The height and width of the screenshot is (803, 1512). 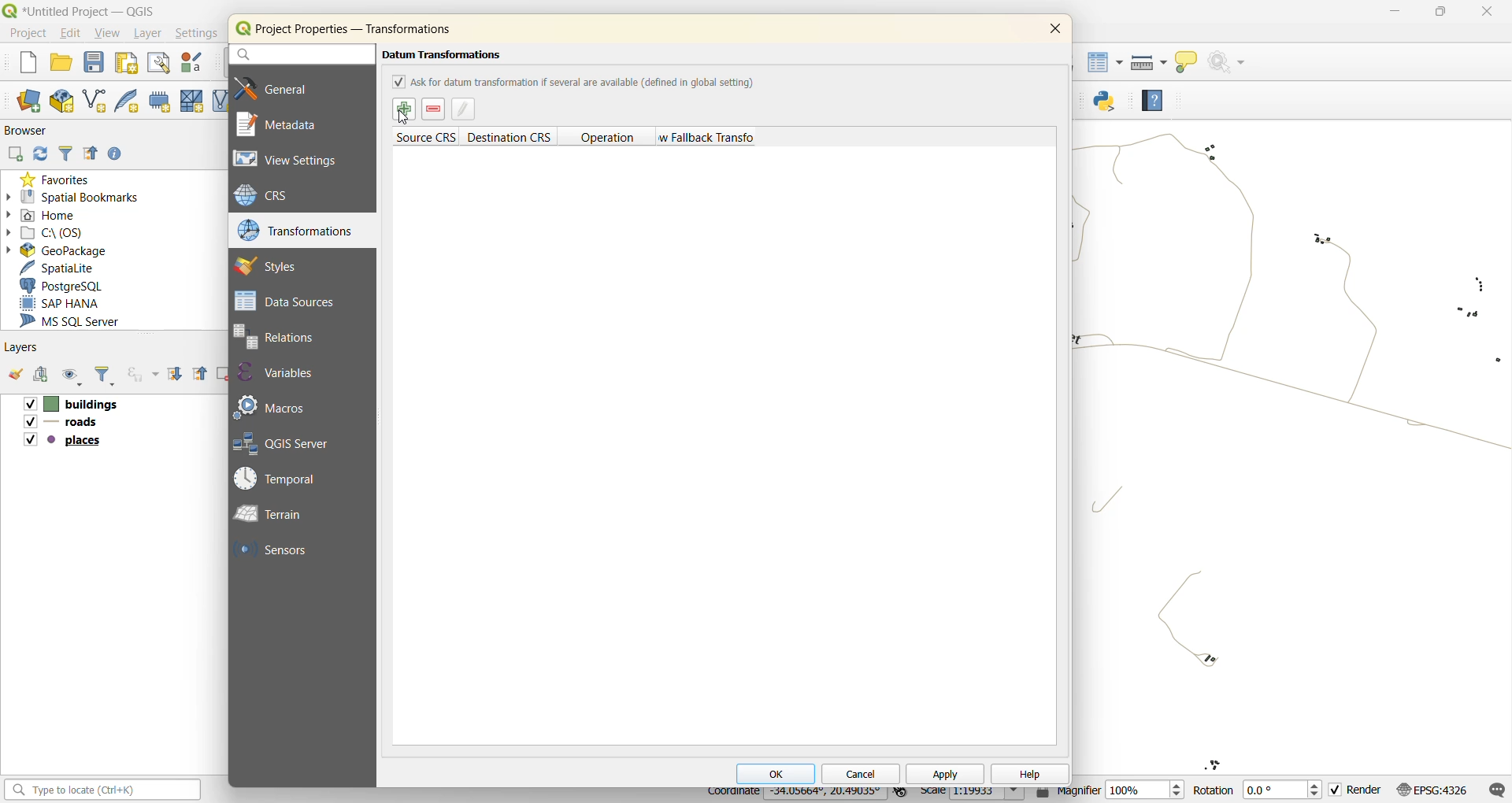 What do you see at coordinates (105, 790) in the screenshot?
I see `search bar` at bounding box center [105, 790].